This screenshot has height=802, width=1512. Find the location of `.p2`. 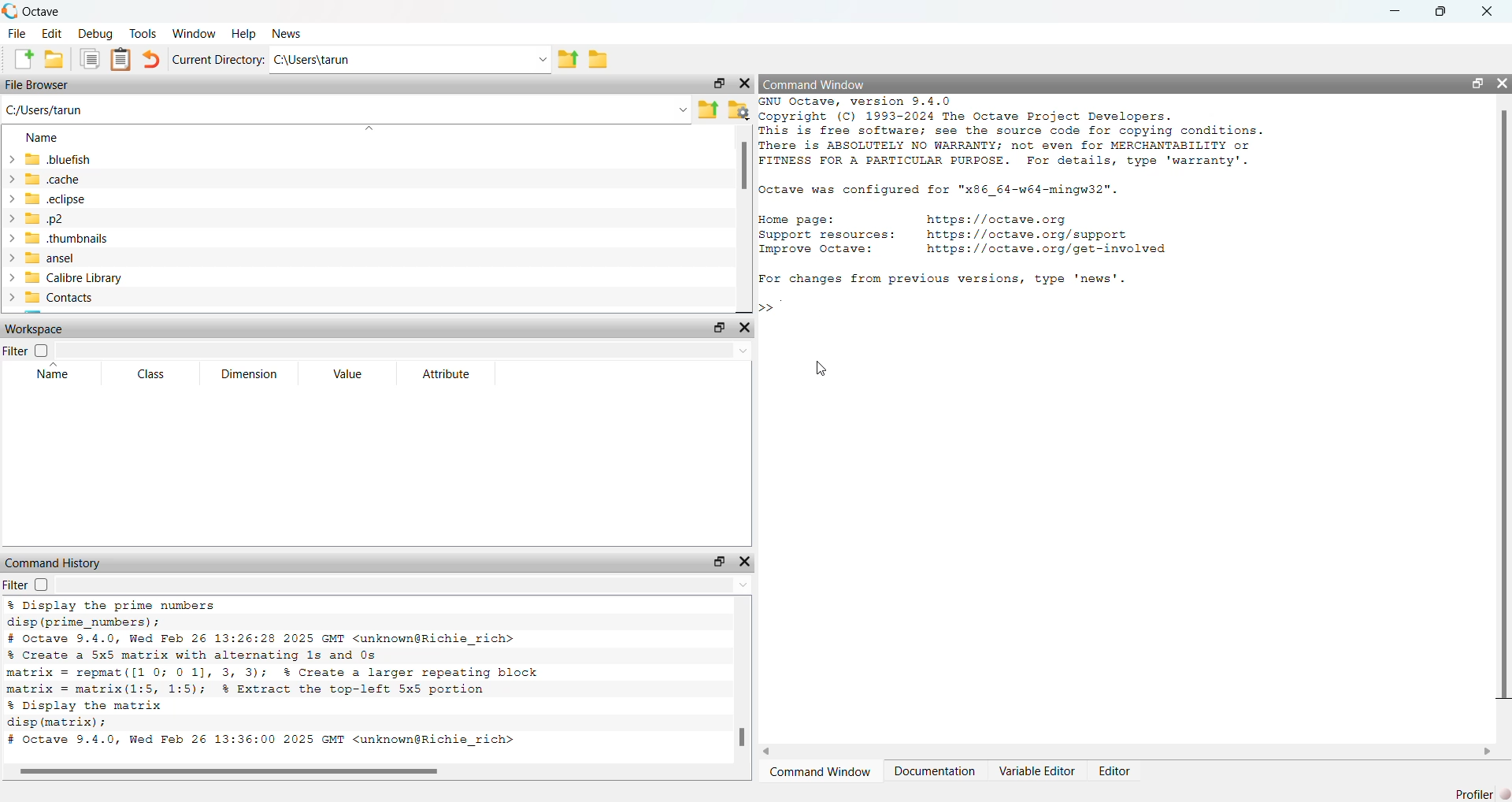

.p2 is located at coordinates (71, 219).